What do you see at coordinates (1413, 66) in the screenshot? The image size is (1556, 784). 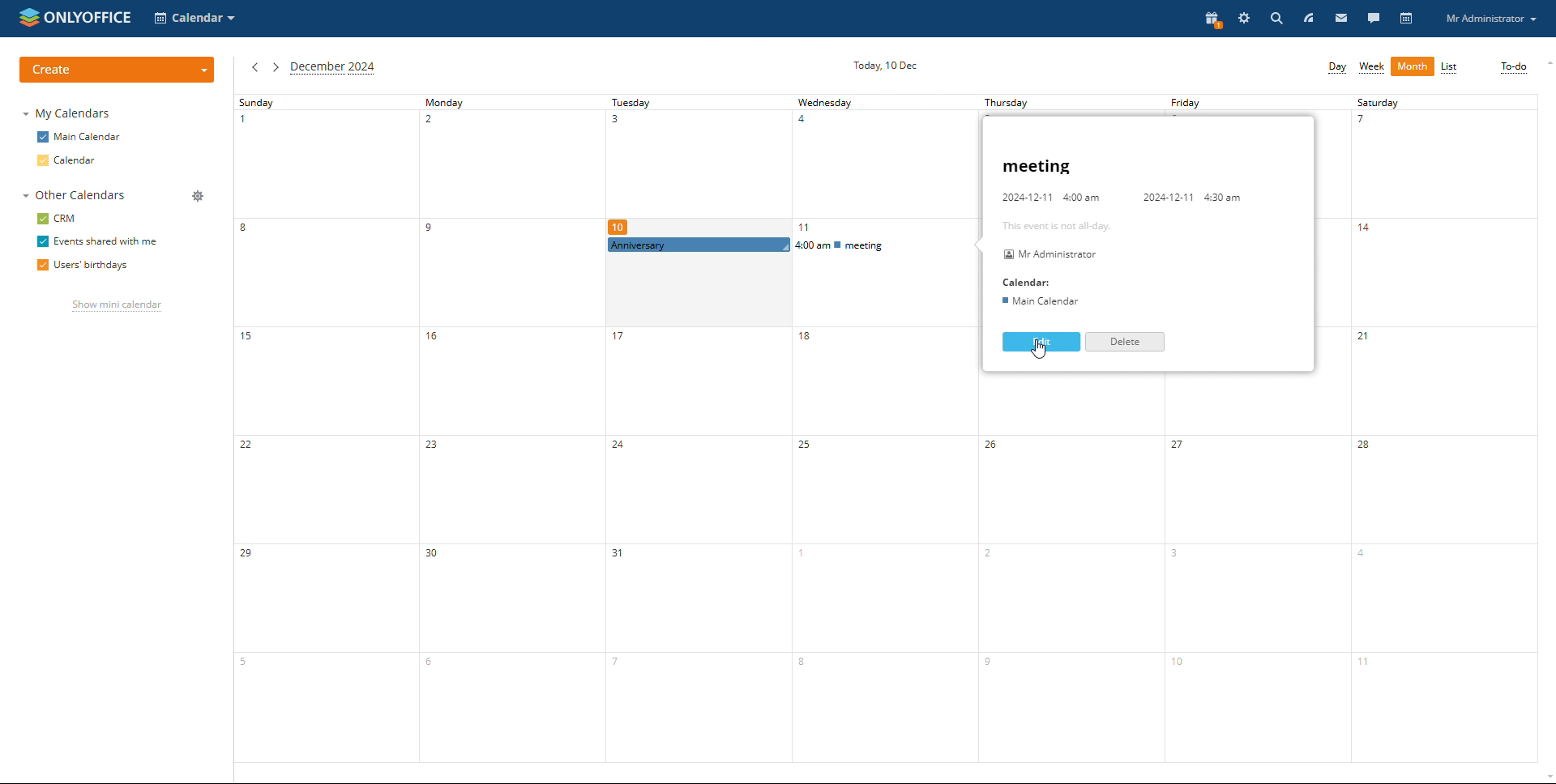 I see `month view` at bounding box center [1413, 66].